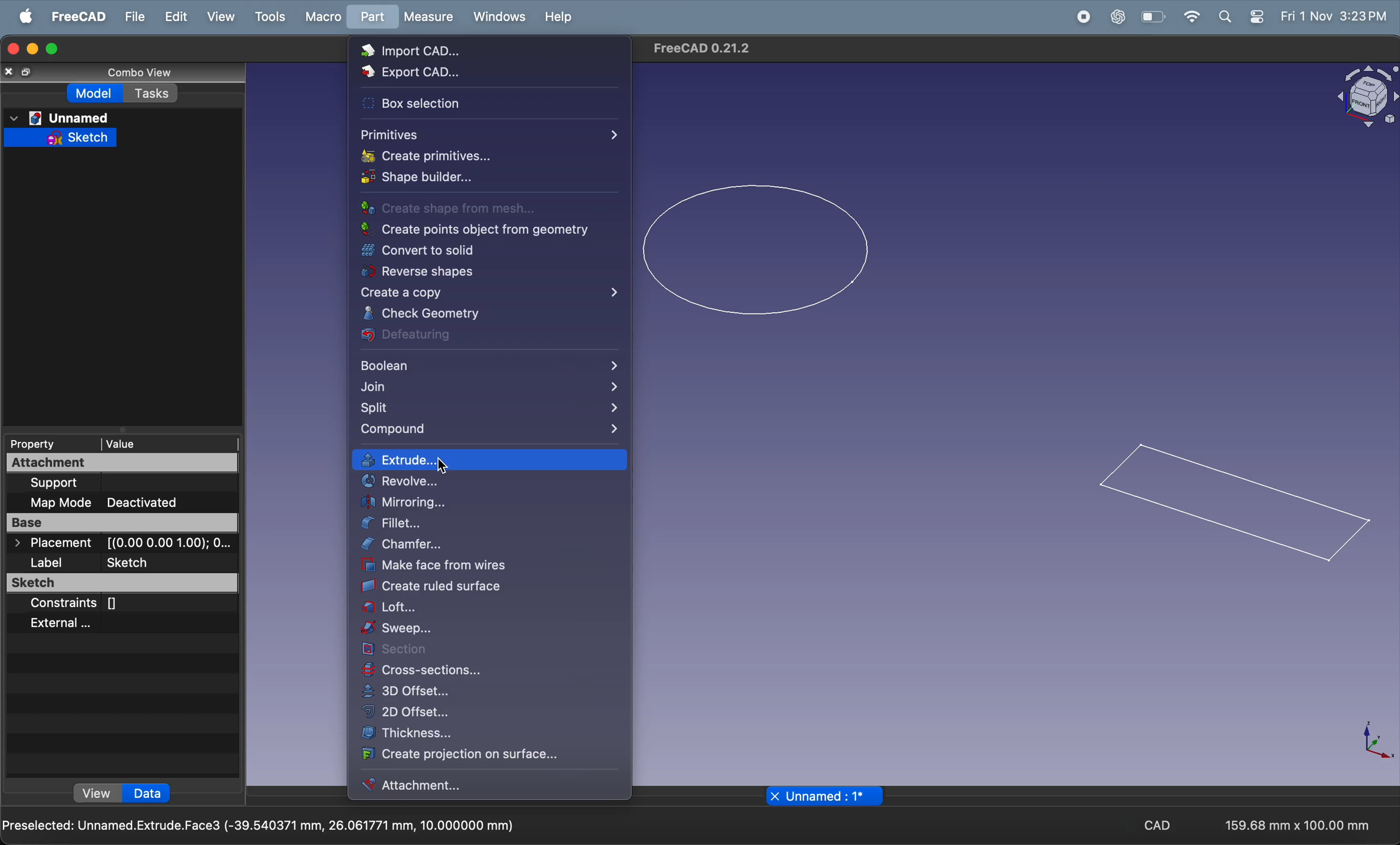 Image resolution: width=1400 pixels, height=845 pixels. What do you see at coordinates (93, 562) in the screenshot?
I see `Label   Sketch` at bounding box center [93, 562].